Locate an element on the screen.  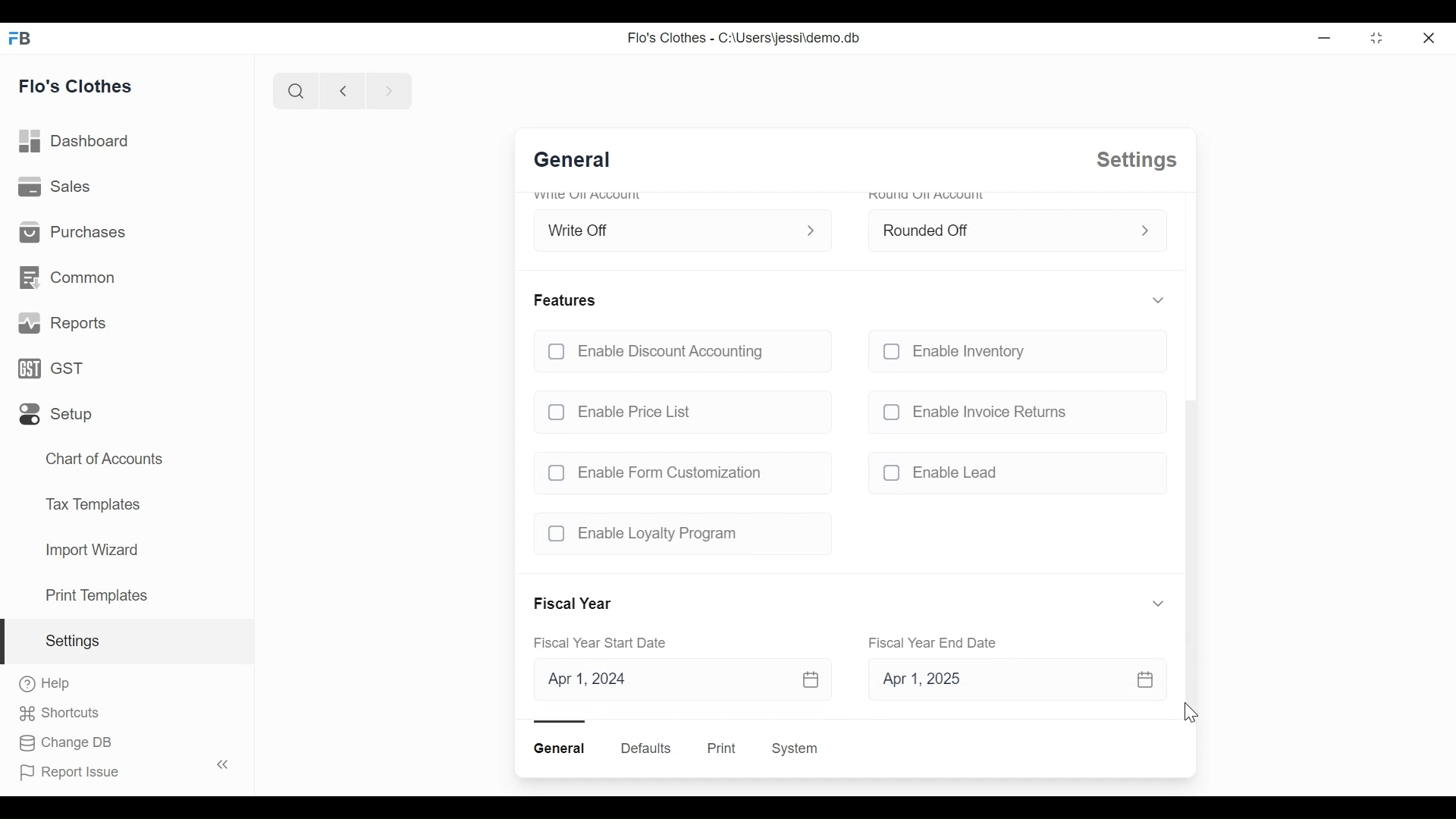
Fiscal Year End Date is located at coordinates (935, 642).